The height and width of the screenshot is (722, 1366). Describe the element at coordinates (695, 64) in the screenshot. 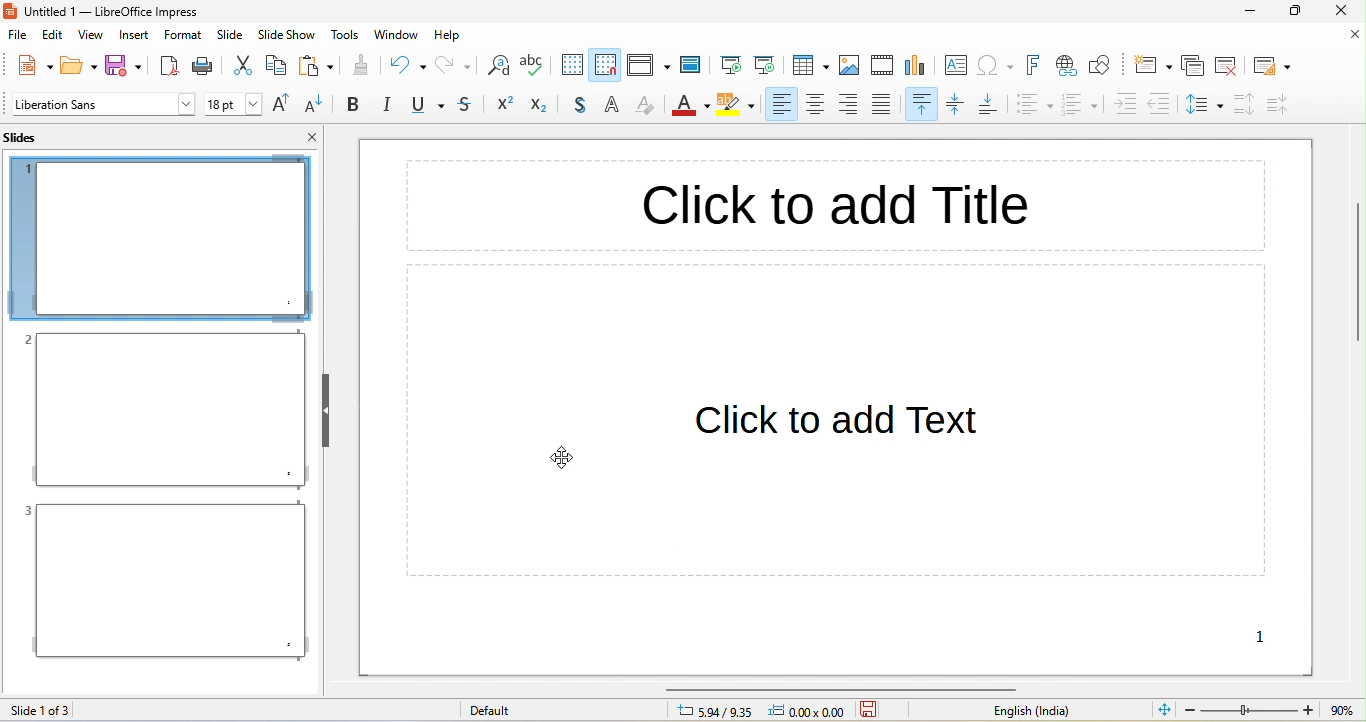

I see `master slide` at that location.